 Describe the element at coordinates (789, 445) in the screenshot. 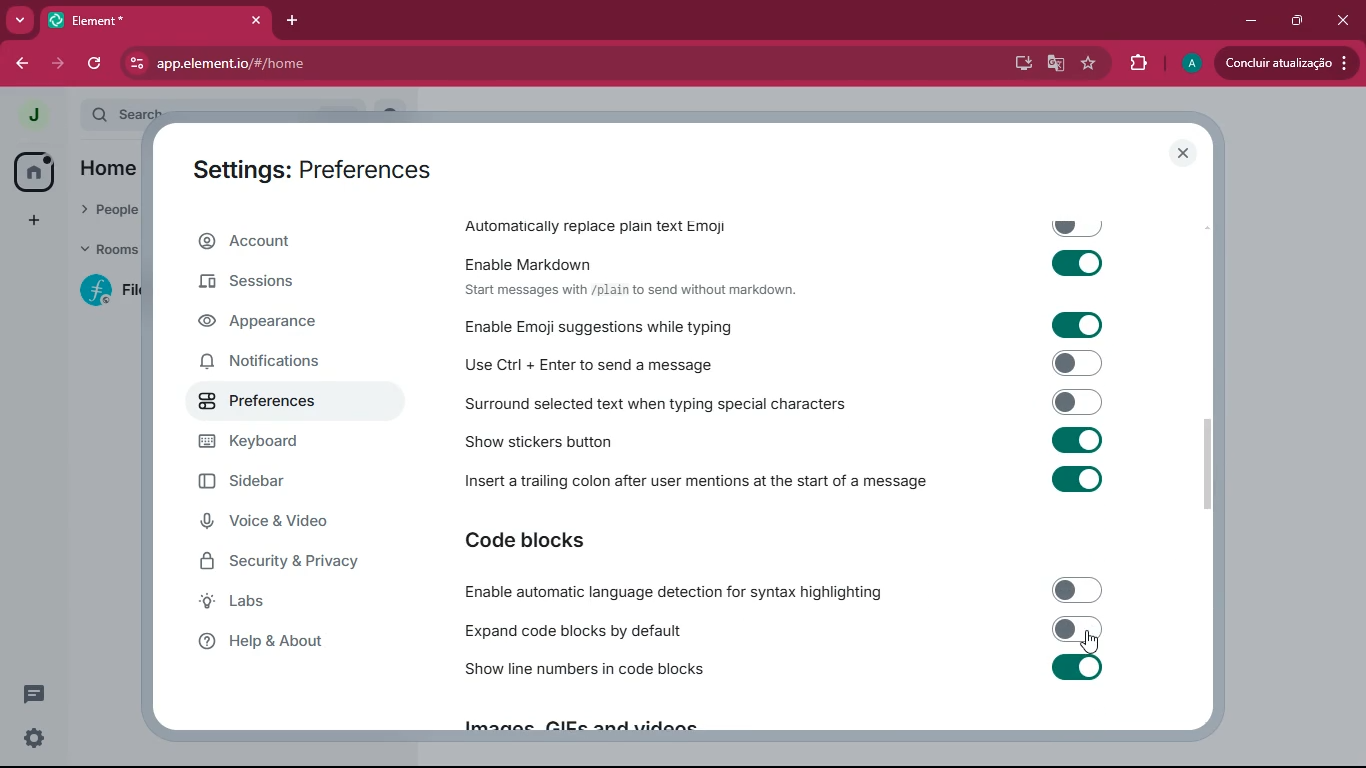

I see `Show stickers button` at that location.